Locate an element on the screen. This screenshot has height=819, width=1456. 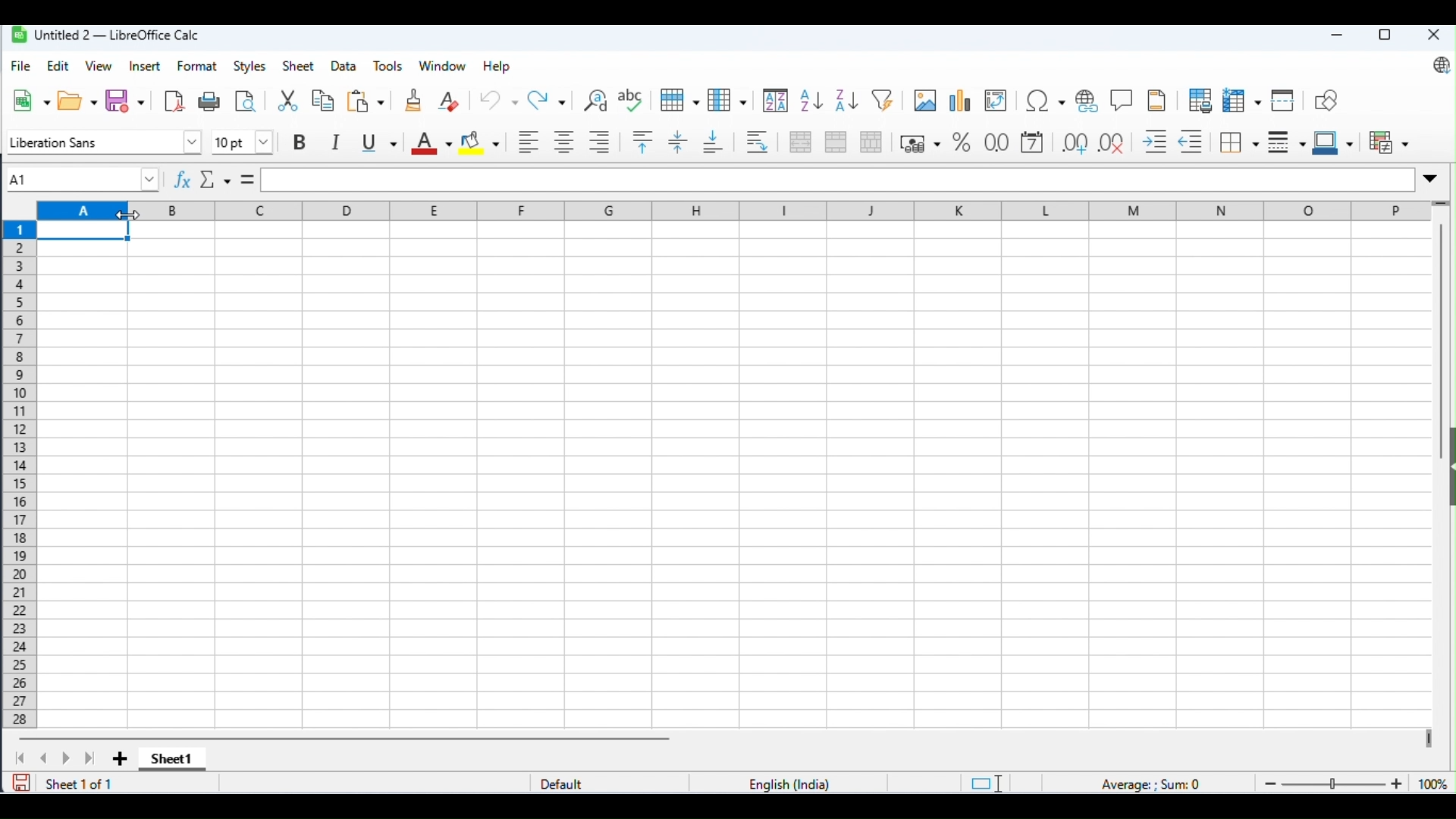
cursor is located at coordinates (128, 215).